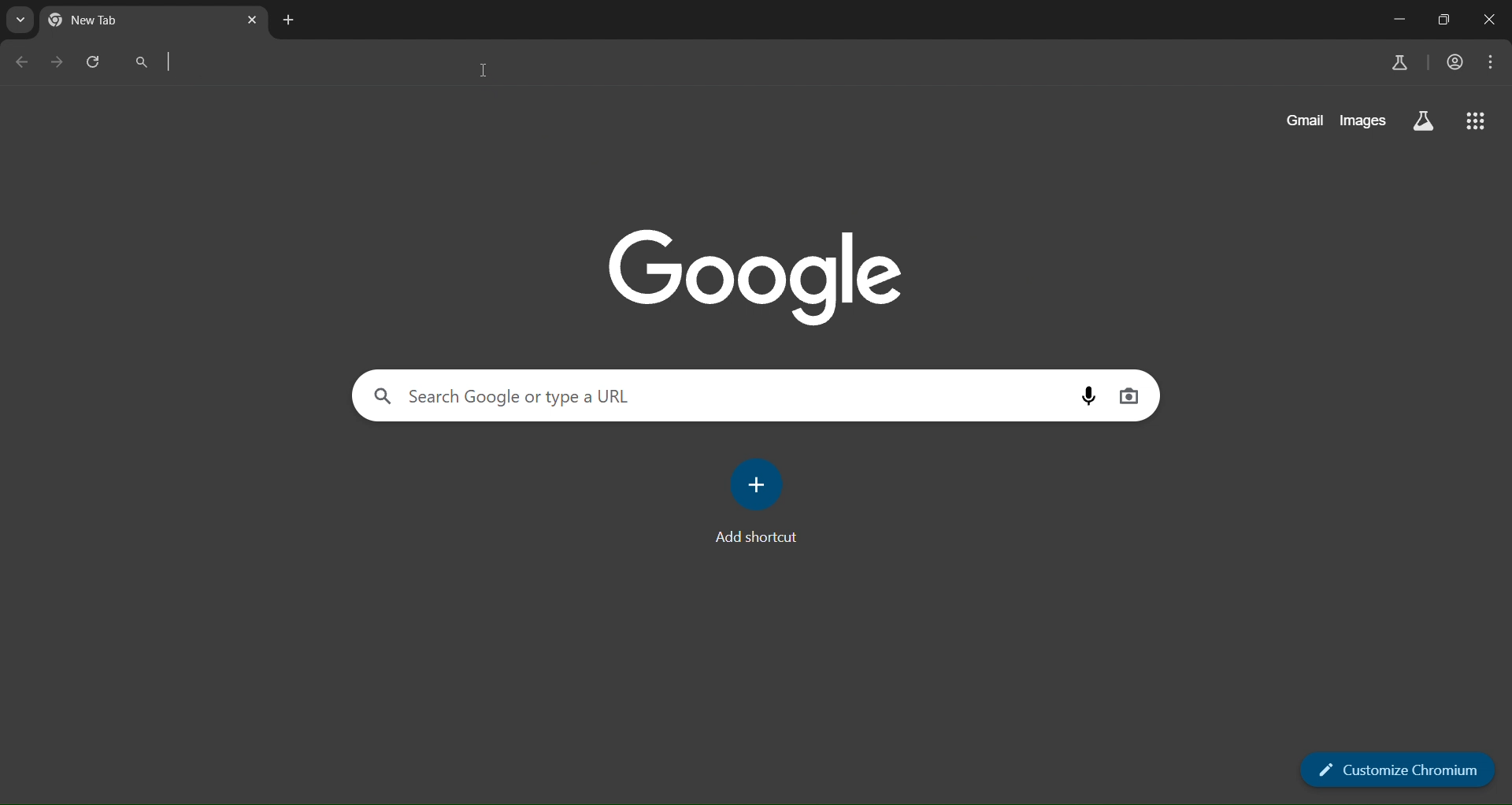 The width and height of the screenshot is (1512, 805). What do you see at coordinates (1305, 118) in the screenshot?
I see `gmail` at bounding box center [1305, 118].